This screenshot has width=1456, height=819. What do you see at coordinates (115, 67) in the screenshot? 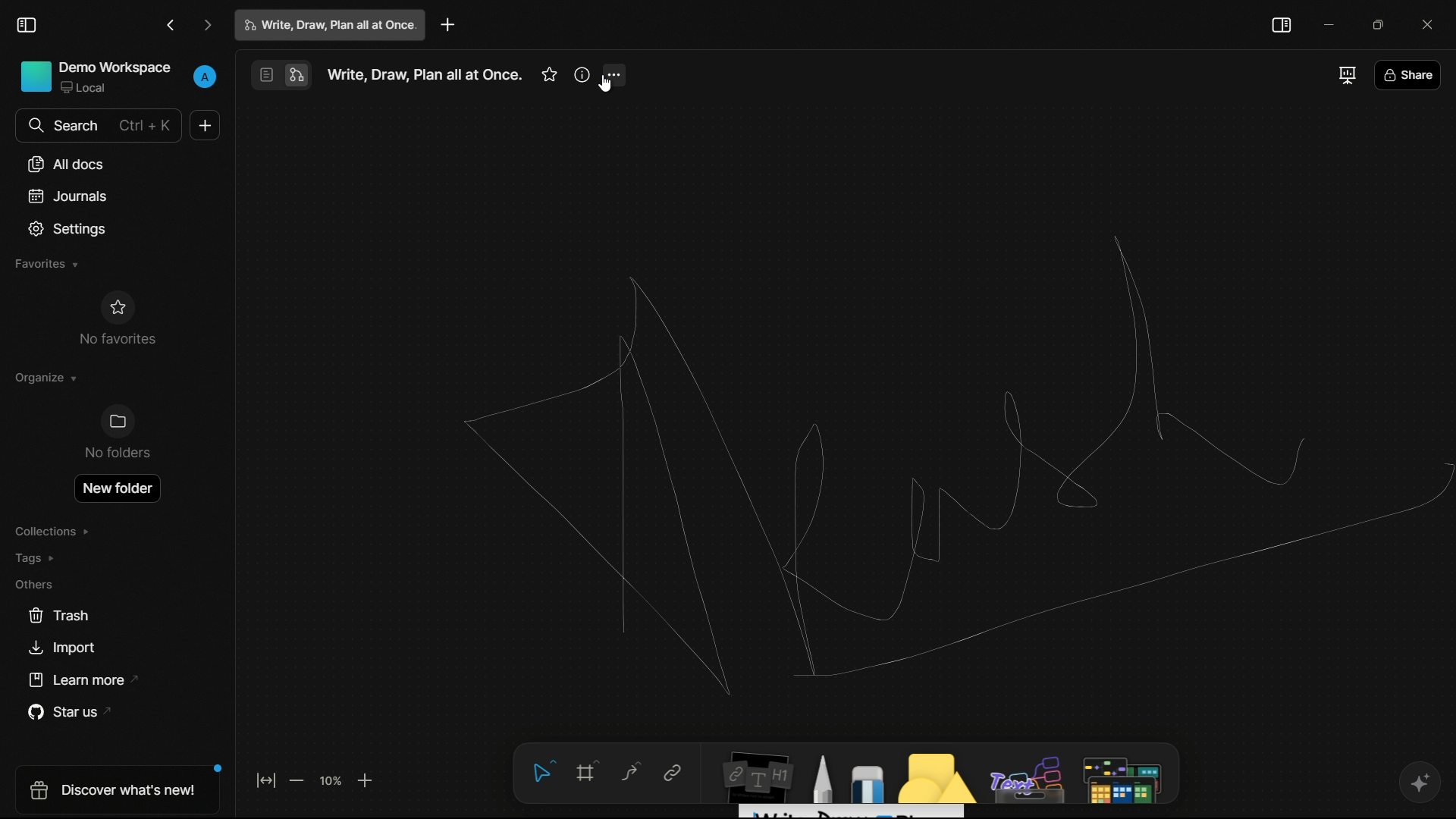
I see `demo workspace` at bounding box center [115, 67].